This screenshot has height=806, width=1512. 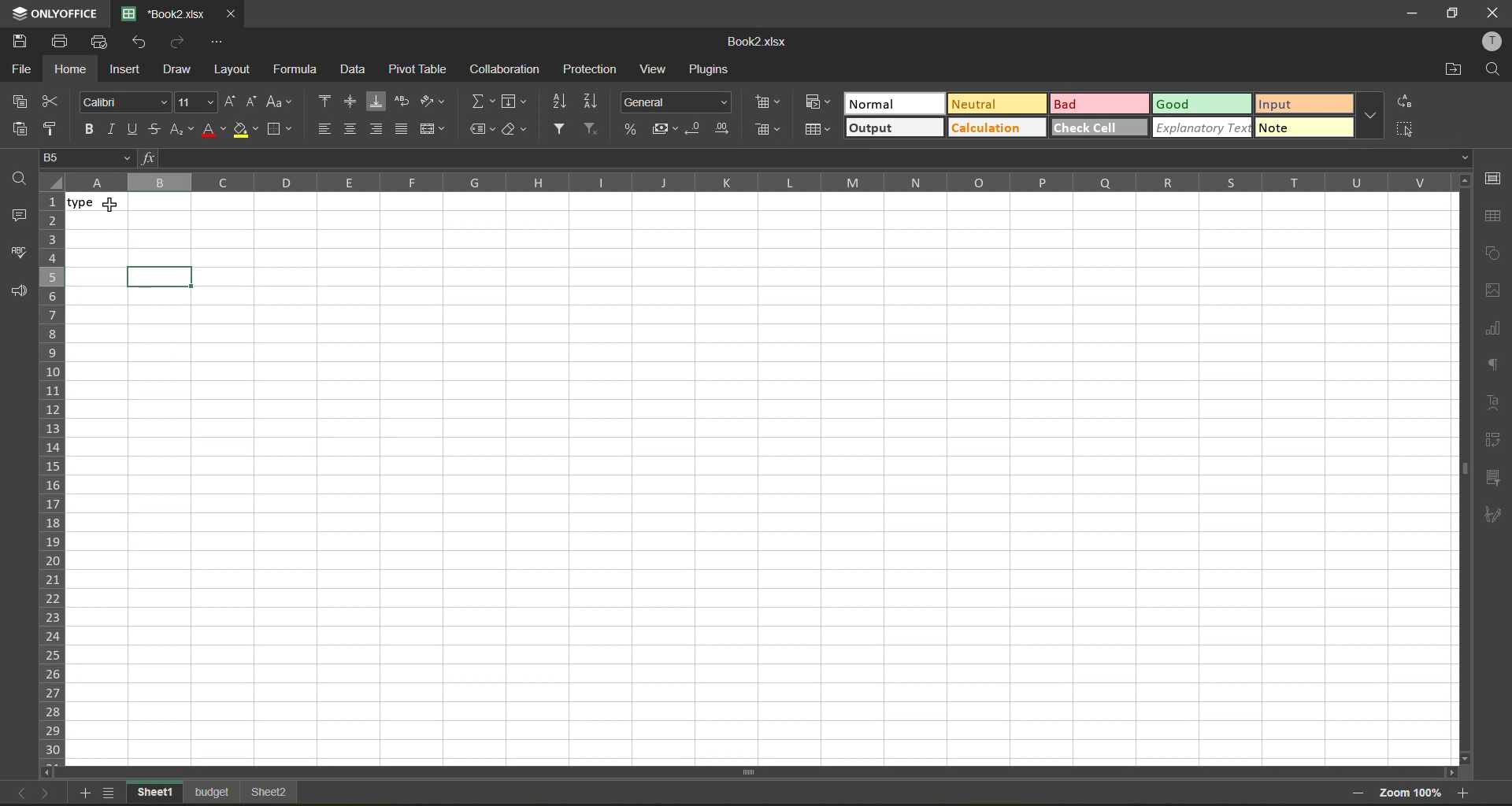 I want to click on Book2.xlsx, so click(x=758, y=40).